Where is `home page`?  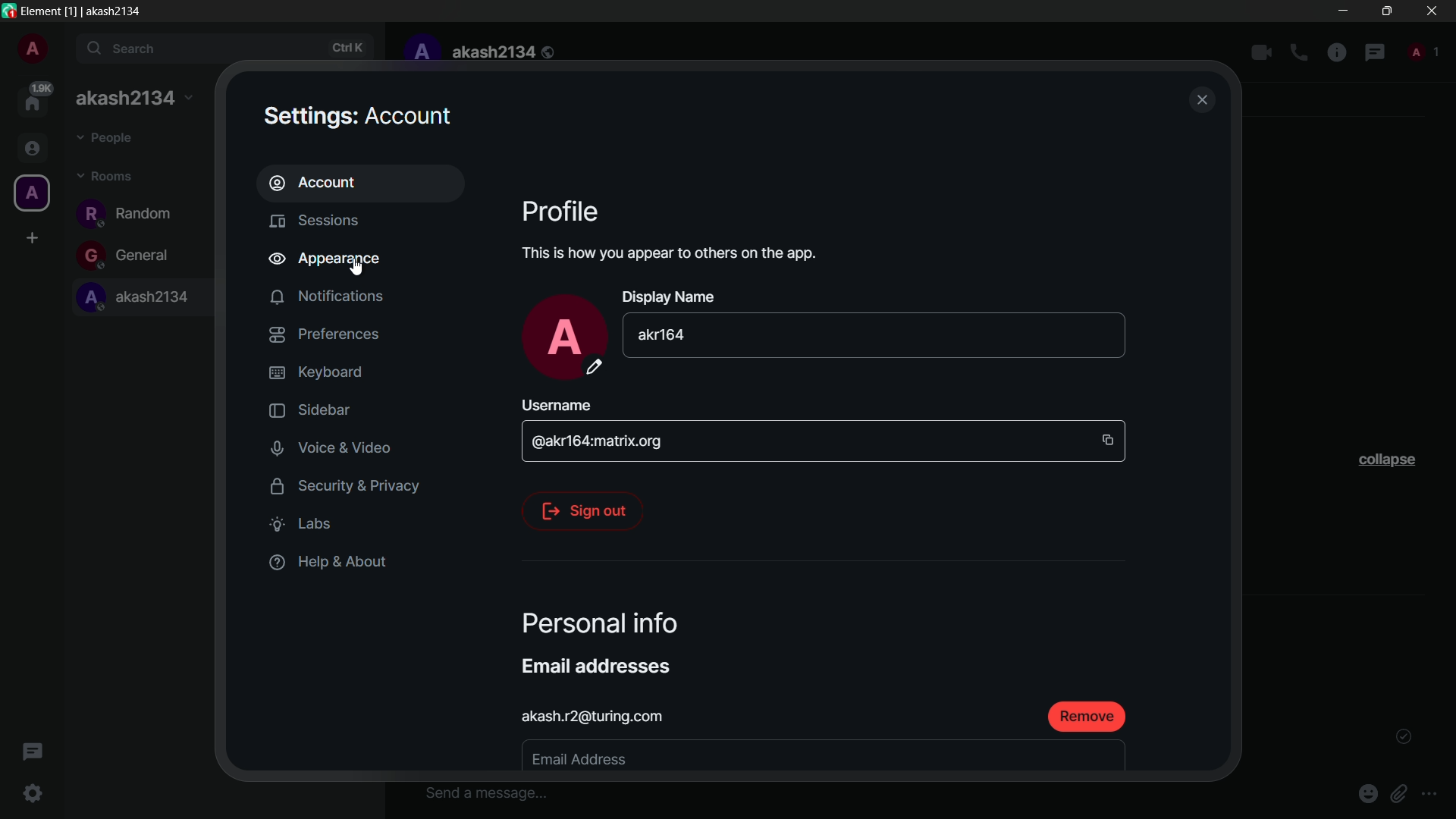 home page is located at coordinates (35, 99).